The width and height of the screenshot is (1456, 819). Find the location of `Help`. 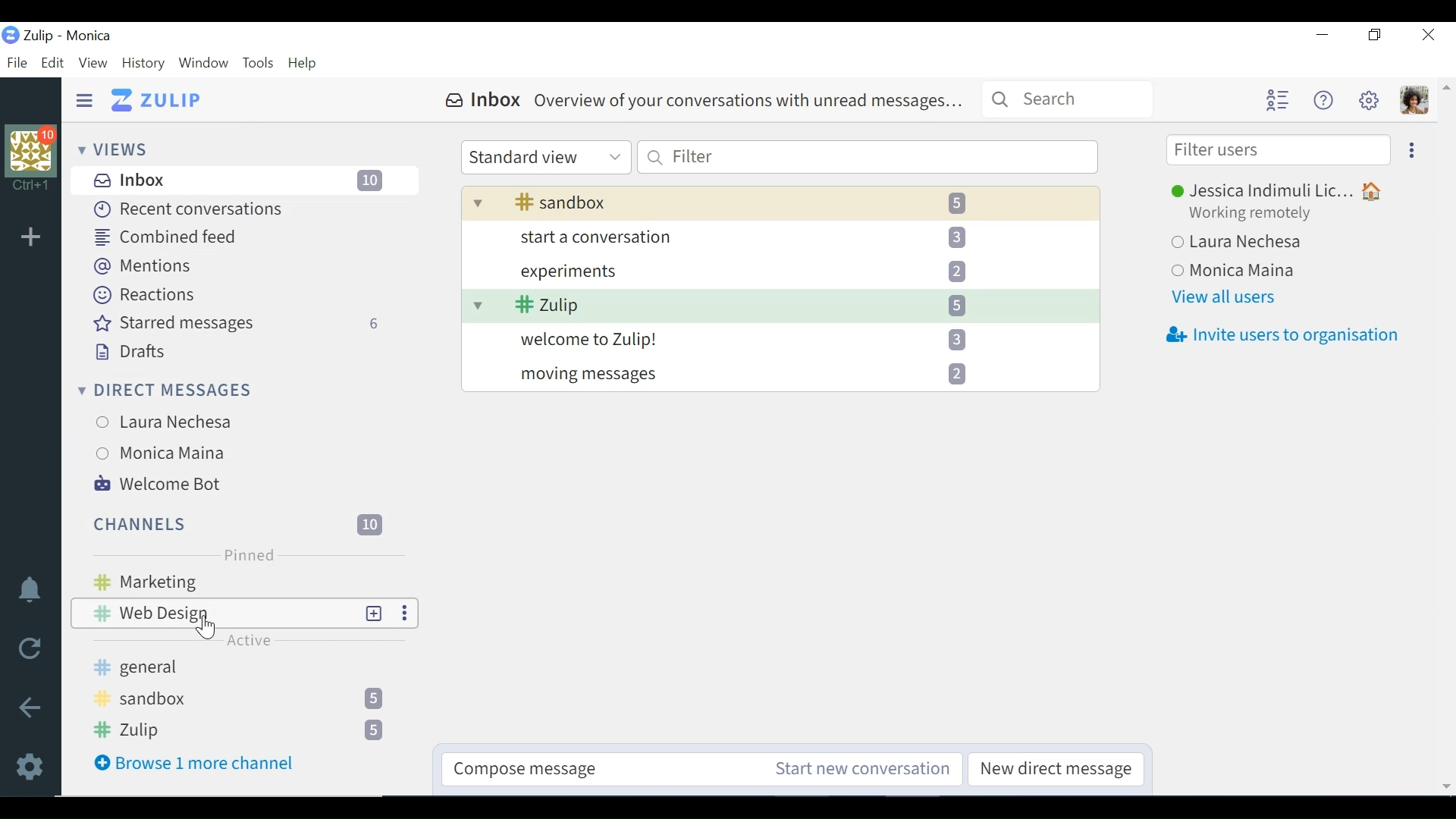

Help is located at coordinates (304, 64).